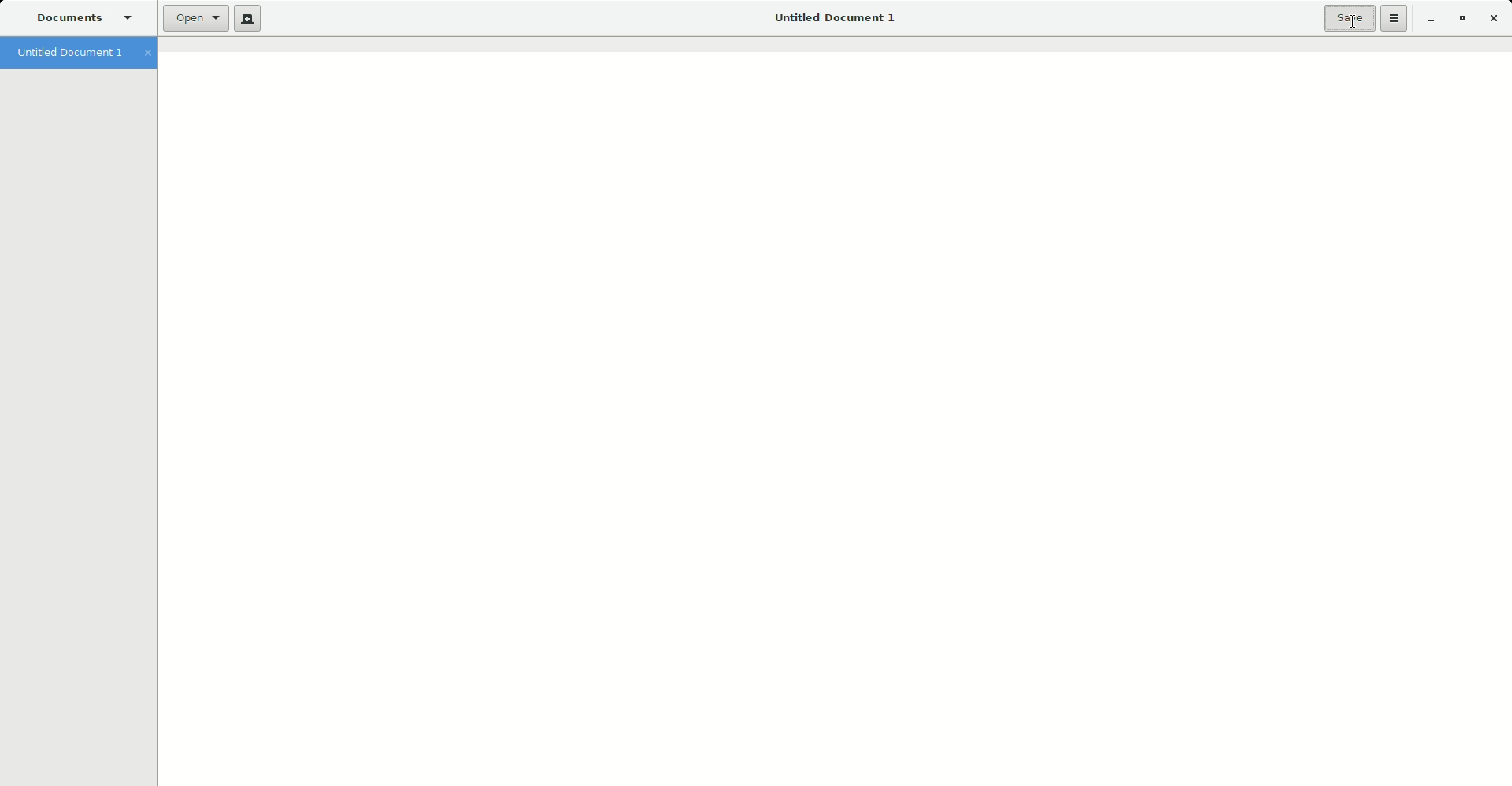  Describe the element at coordinates (87, 20) in the screenshot. I see `Documents` at that location.